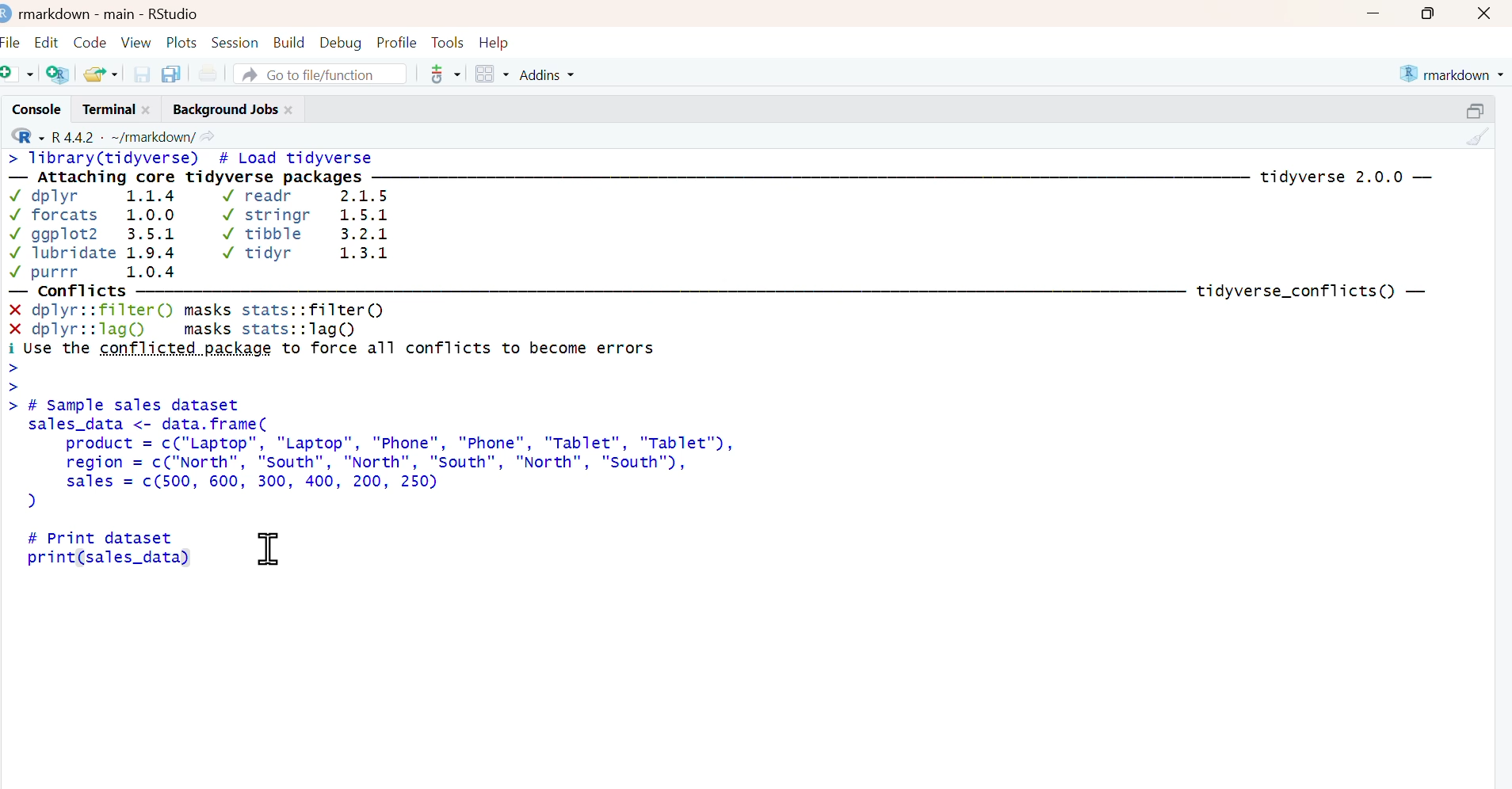 The height and width of the screenshot is (789, 1512). I want to click on close, so click(151, 109).